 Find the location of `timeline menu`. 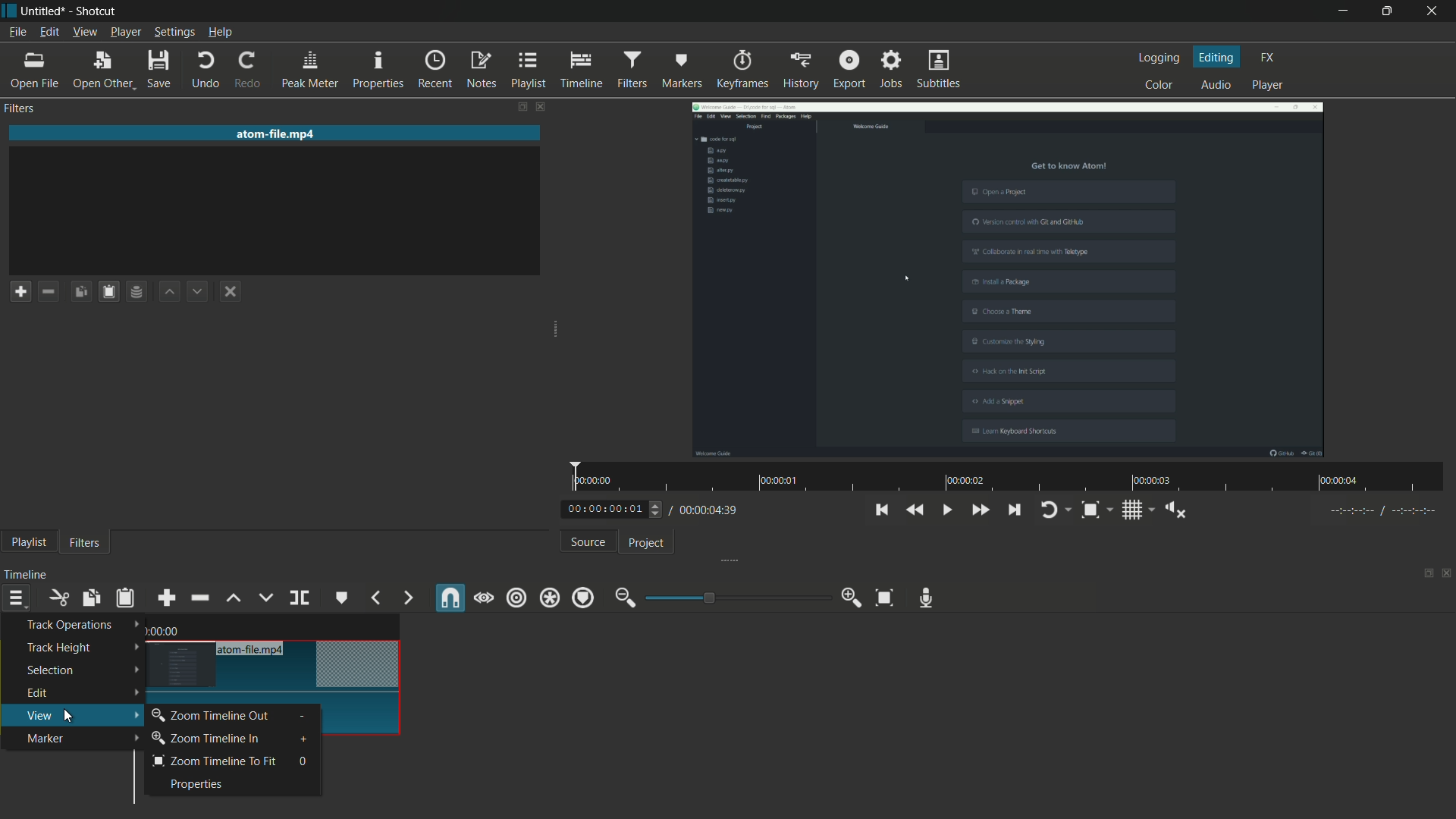

timeline menu is located at coordinates (16, 598).